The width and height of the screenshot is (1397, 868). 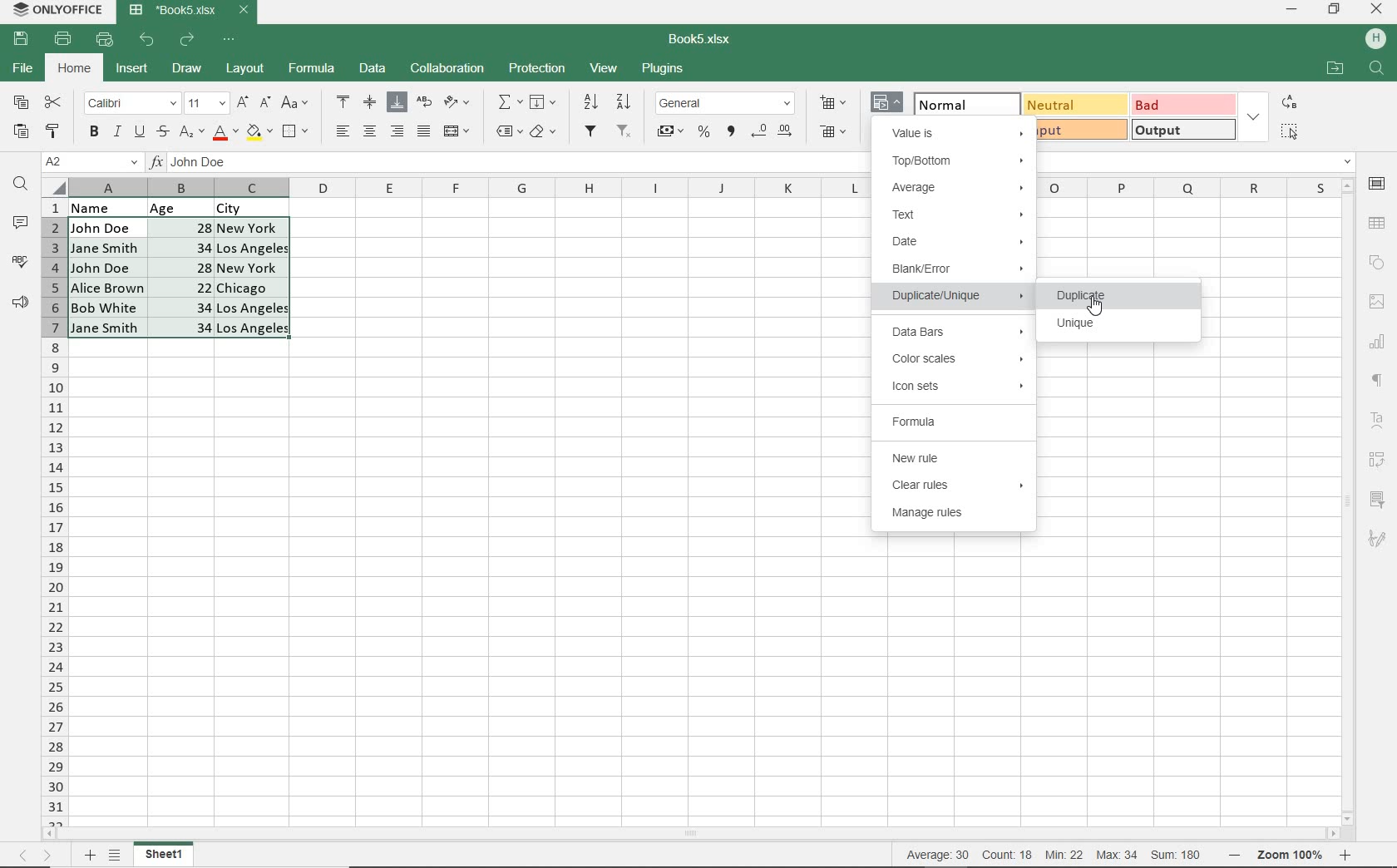 I want to click on DELETE CELLS, so click(x=835, y=133).